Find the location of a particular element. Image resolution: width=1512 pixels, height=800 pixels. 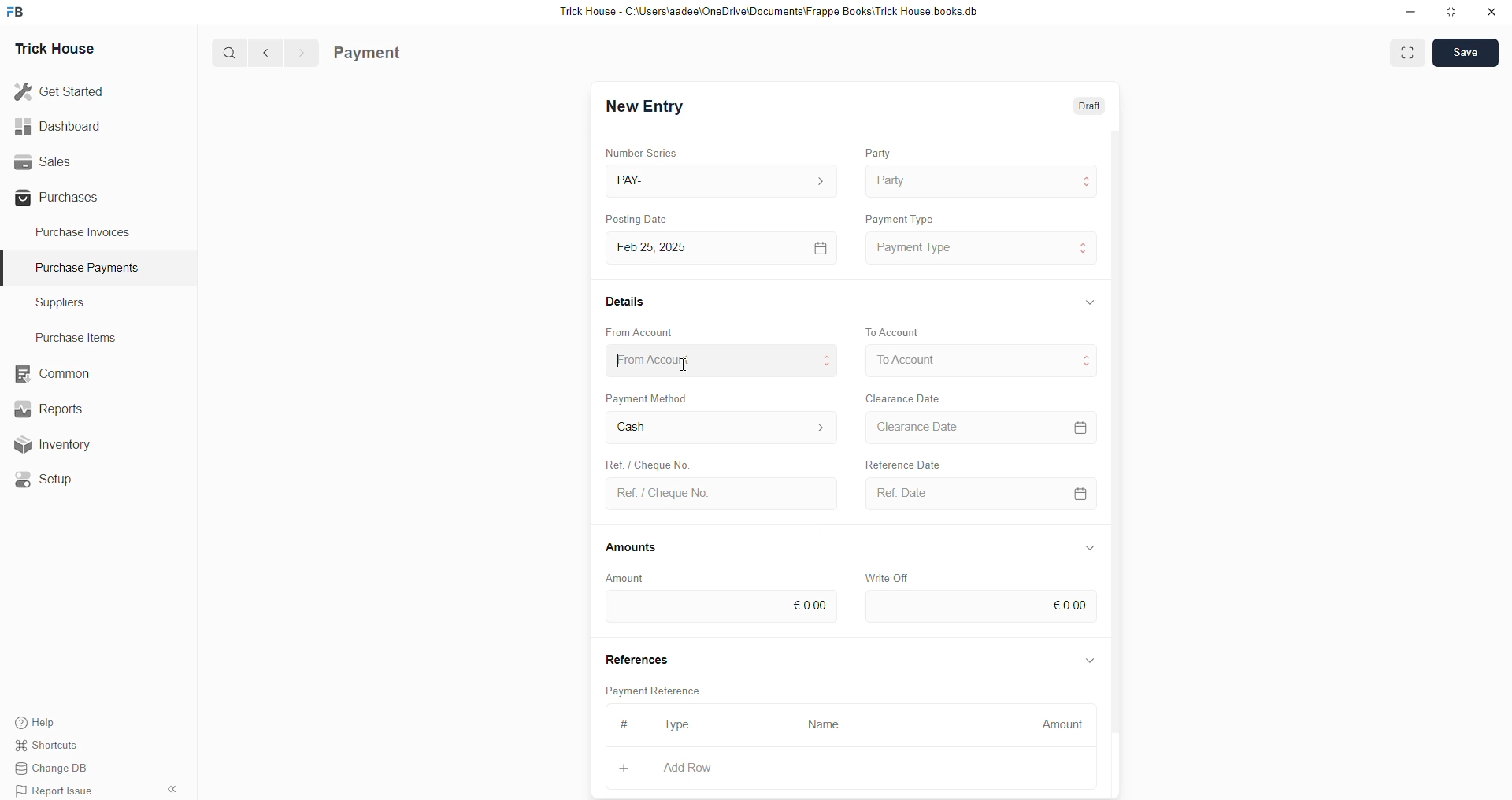

Change DB is located at coordinates (60, 769).